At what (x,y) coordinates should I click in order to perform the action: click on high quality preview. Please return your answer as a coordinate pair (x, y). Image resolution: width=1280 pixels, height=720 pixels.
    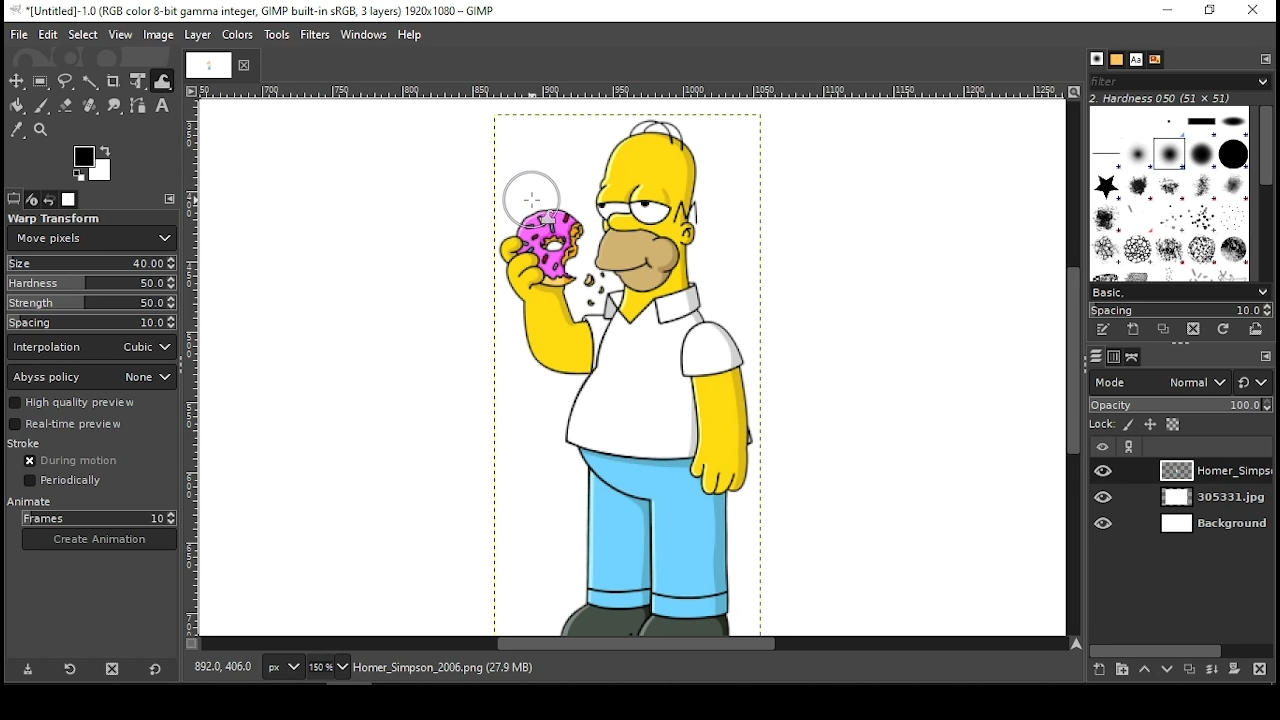
    Looking at the image, I should click on (93, 402).